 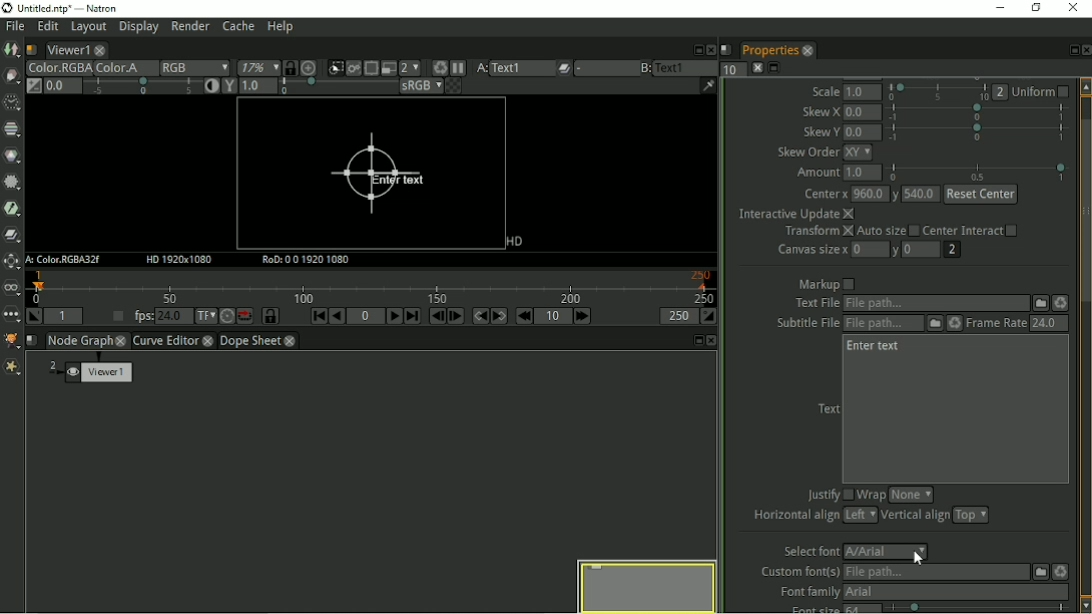 What do you see at coordinates (868, 194) in the screenshot?
I see `960` at bounding box center [868, 194].